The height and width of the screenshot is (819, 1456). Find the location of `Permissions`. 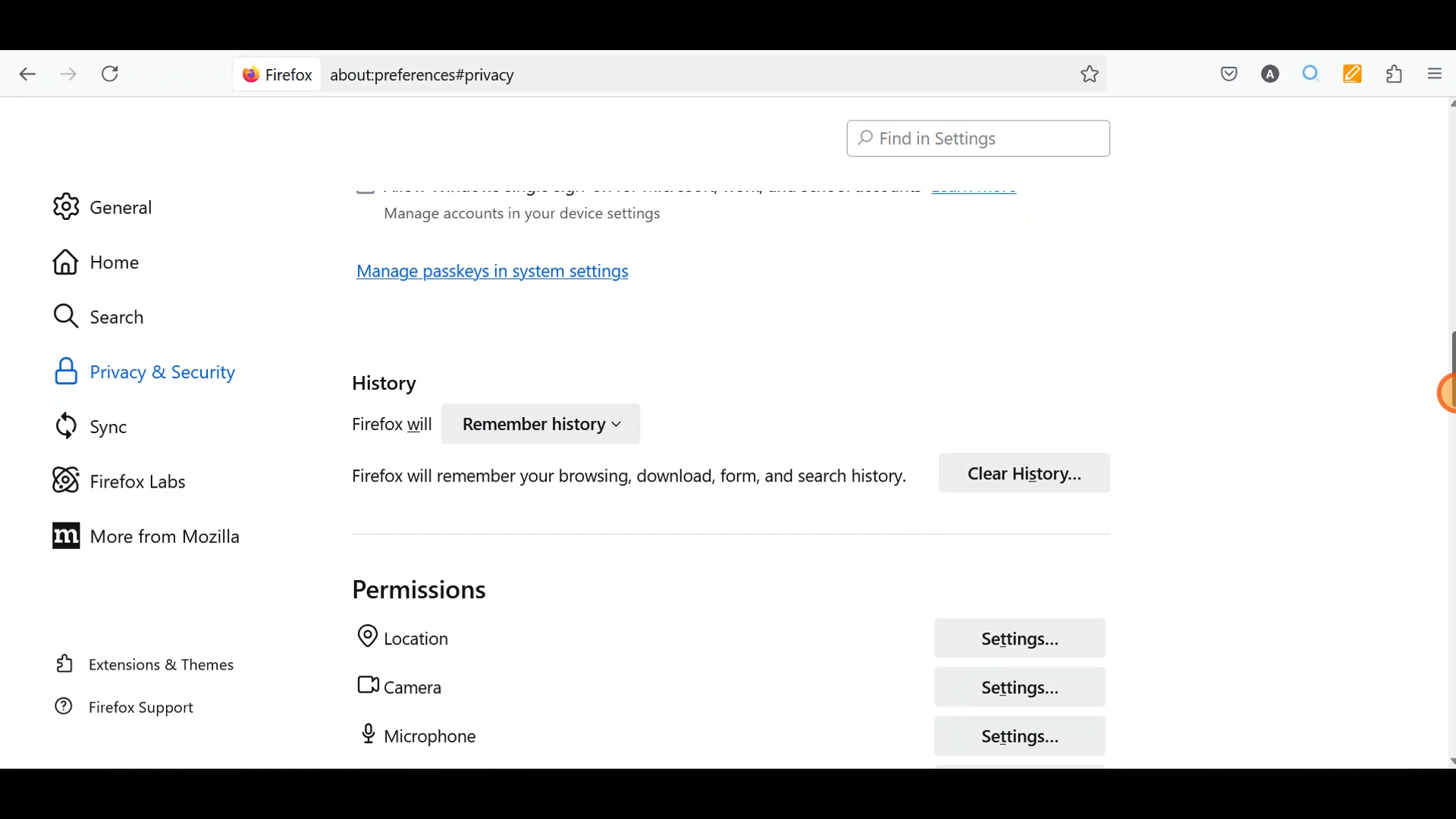

Permissions is located at coordinates (403, 589).